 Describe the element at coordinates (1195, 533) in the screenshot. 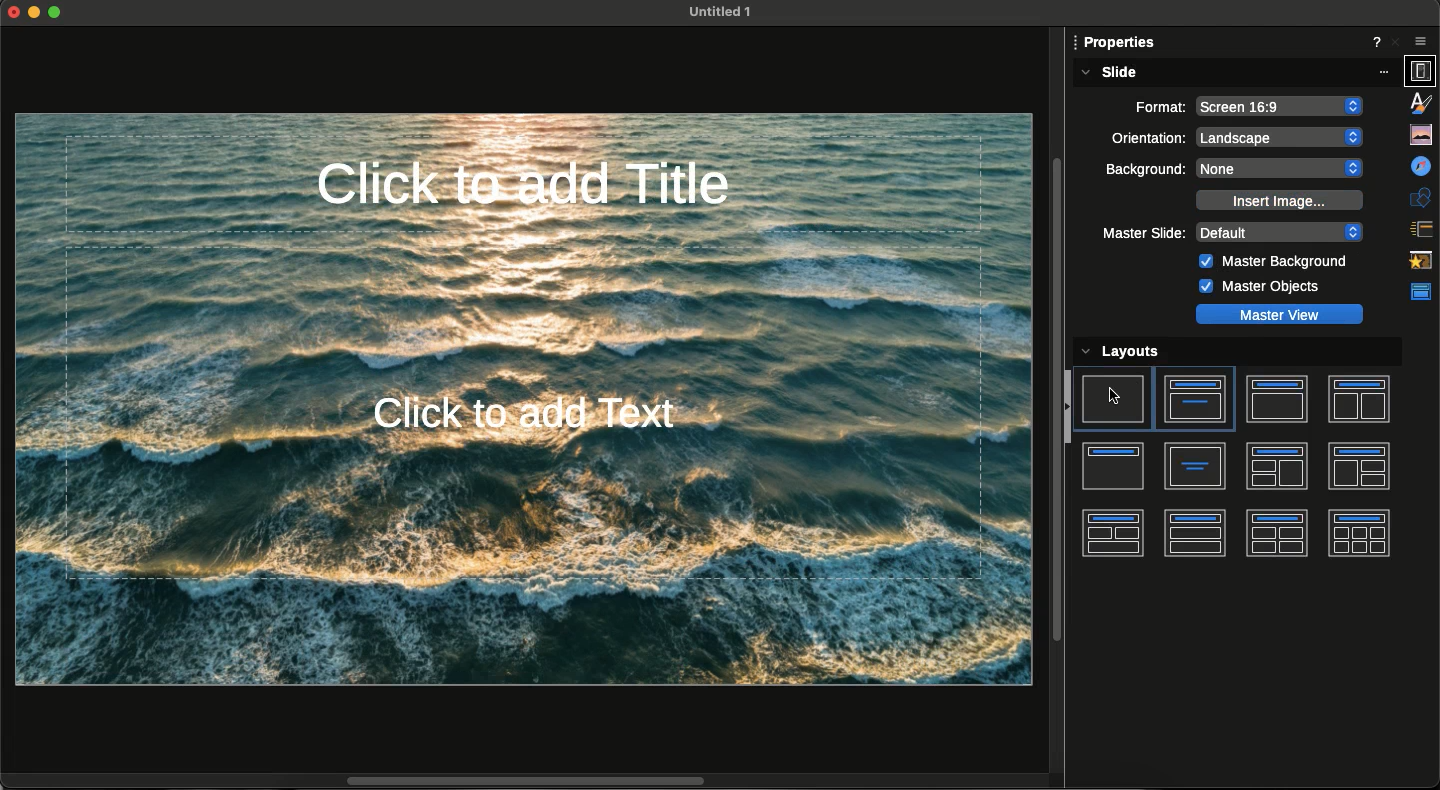

I see `Title and two boxes` at that location.